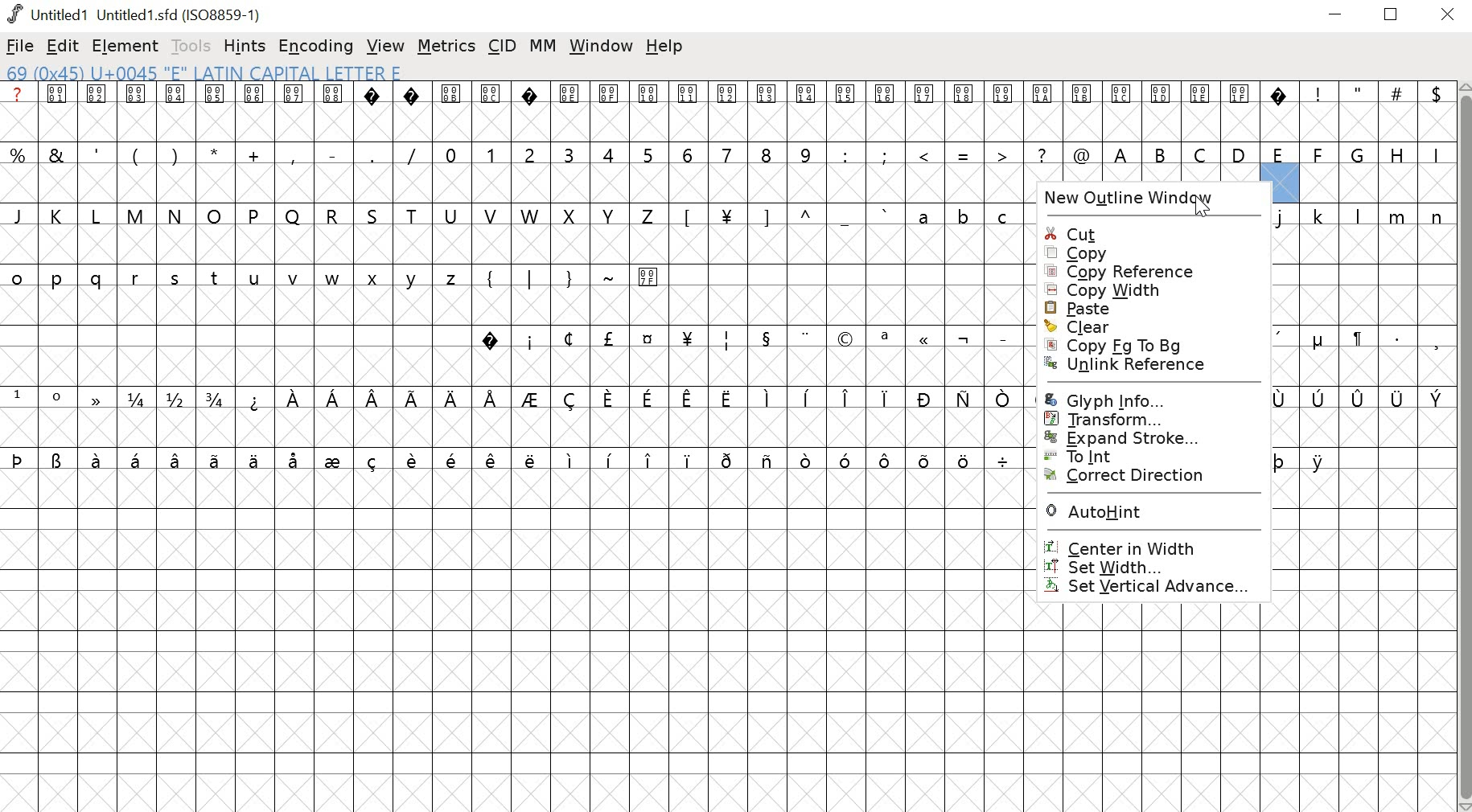 This screenshot has height=812, width=1472. Describe the element at coordinates (1463, 447) in the screenshot. I see `scrollbar` at that location.